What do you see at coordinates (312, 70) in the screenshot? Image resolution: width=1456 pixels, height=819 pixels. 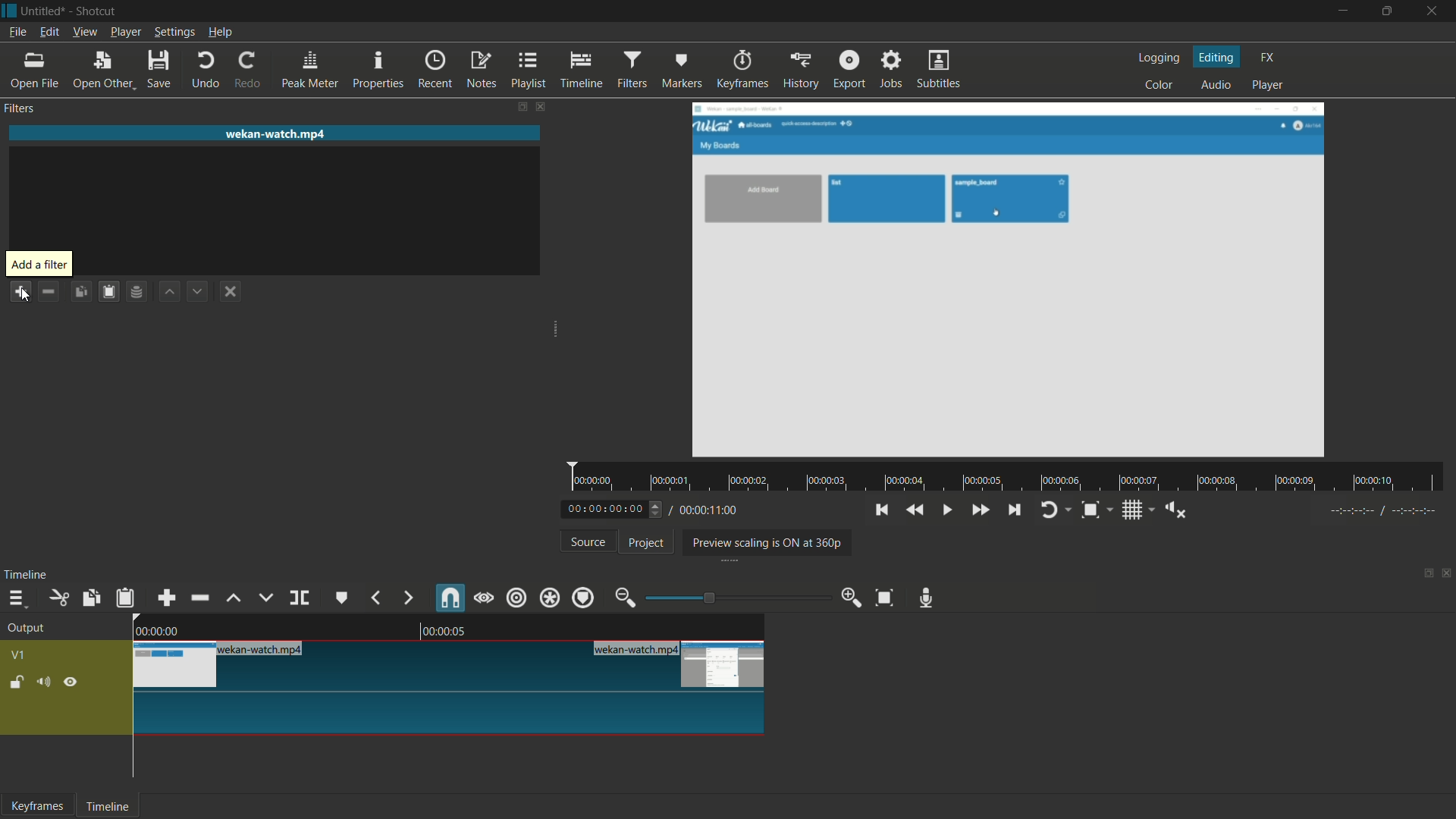 I see `peak meter` at bounding box center [312, 70].